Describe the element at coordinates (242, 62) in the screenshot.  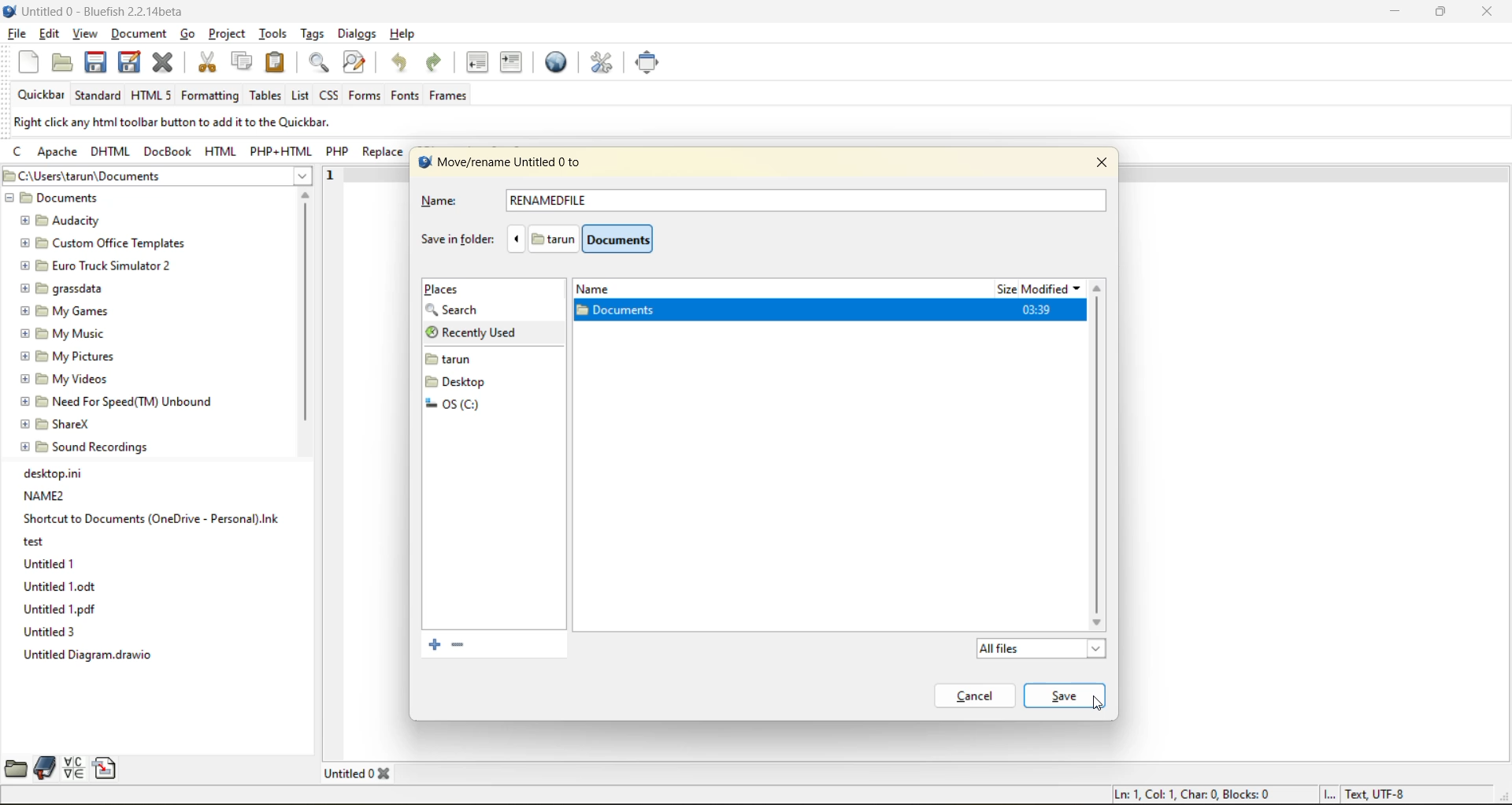
I see `copy` at that location.